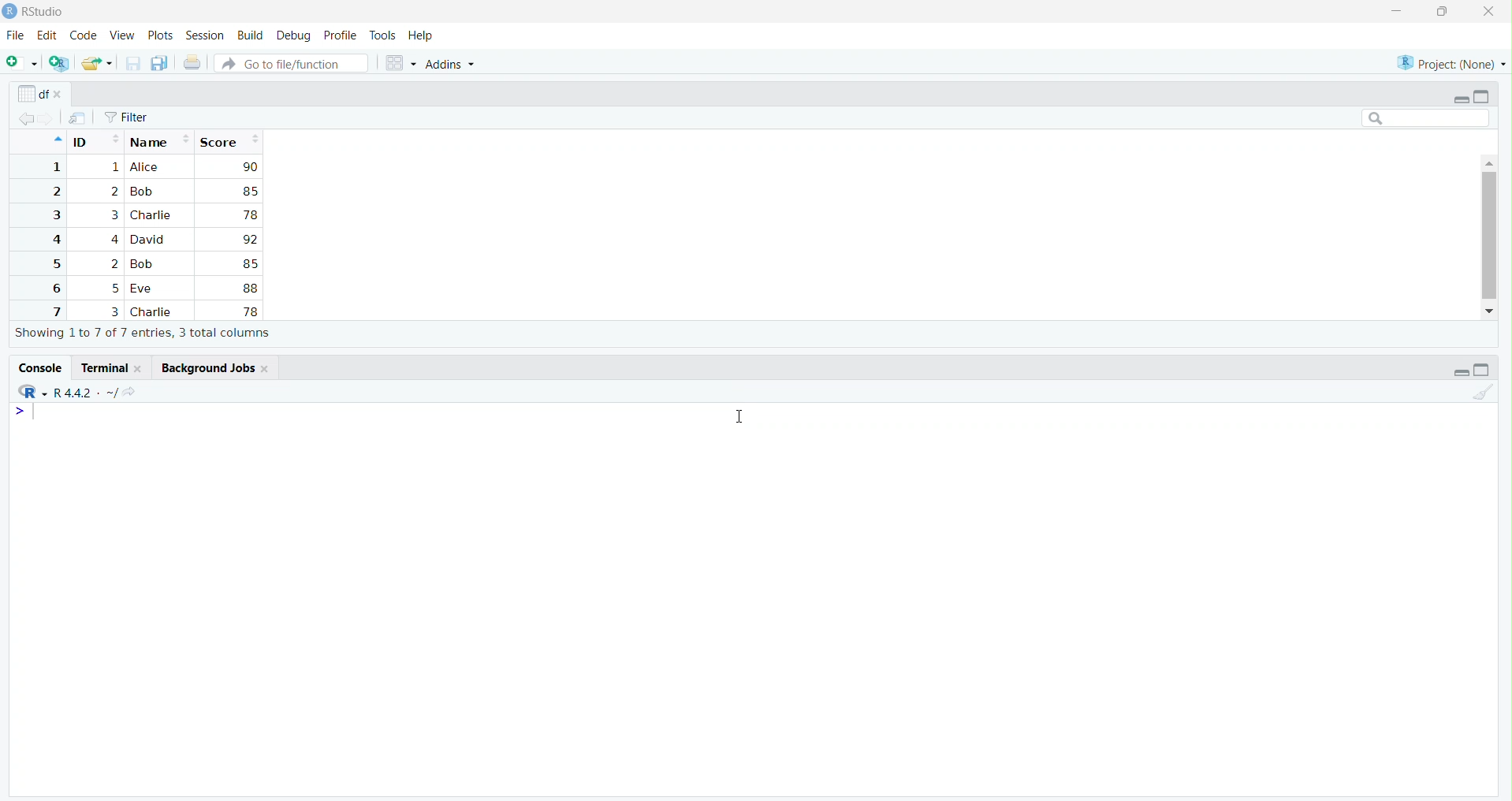  Describe the element at coordinates (1482, 391) in the screenshot. I see `clear` at that location.